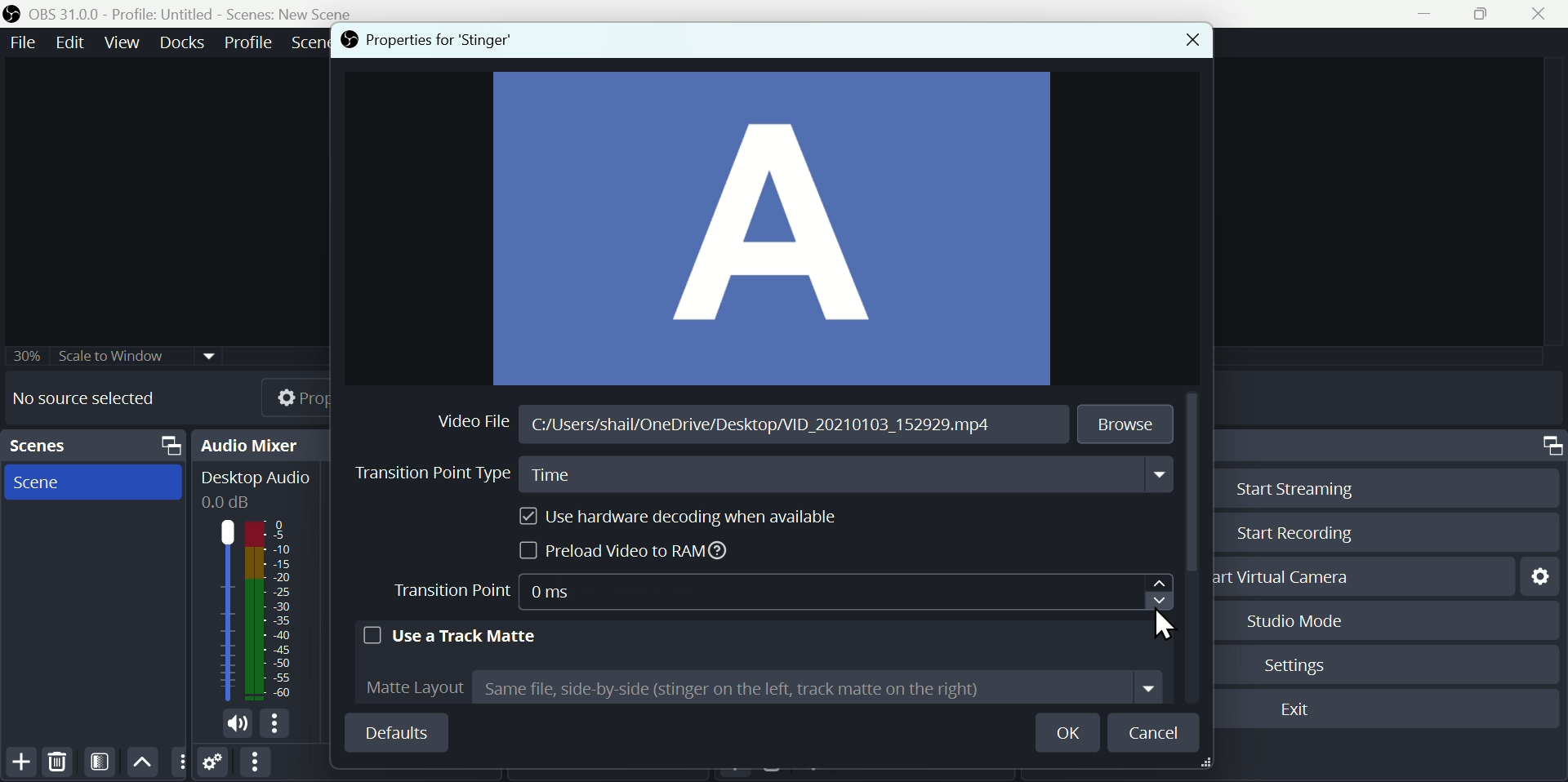 The image size is (1568, 782). I want to click on O K, so click(1073, 733).